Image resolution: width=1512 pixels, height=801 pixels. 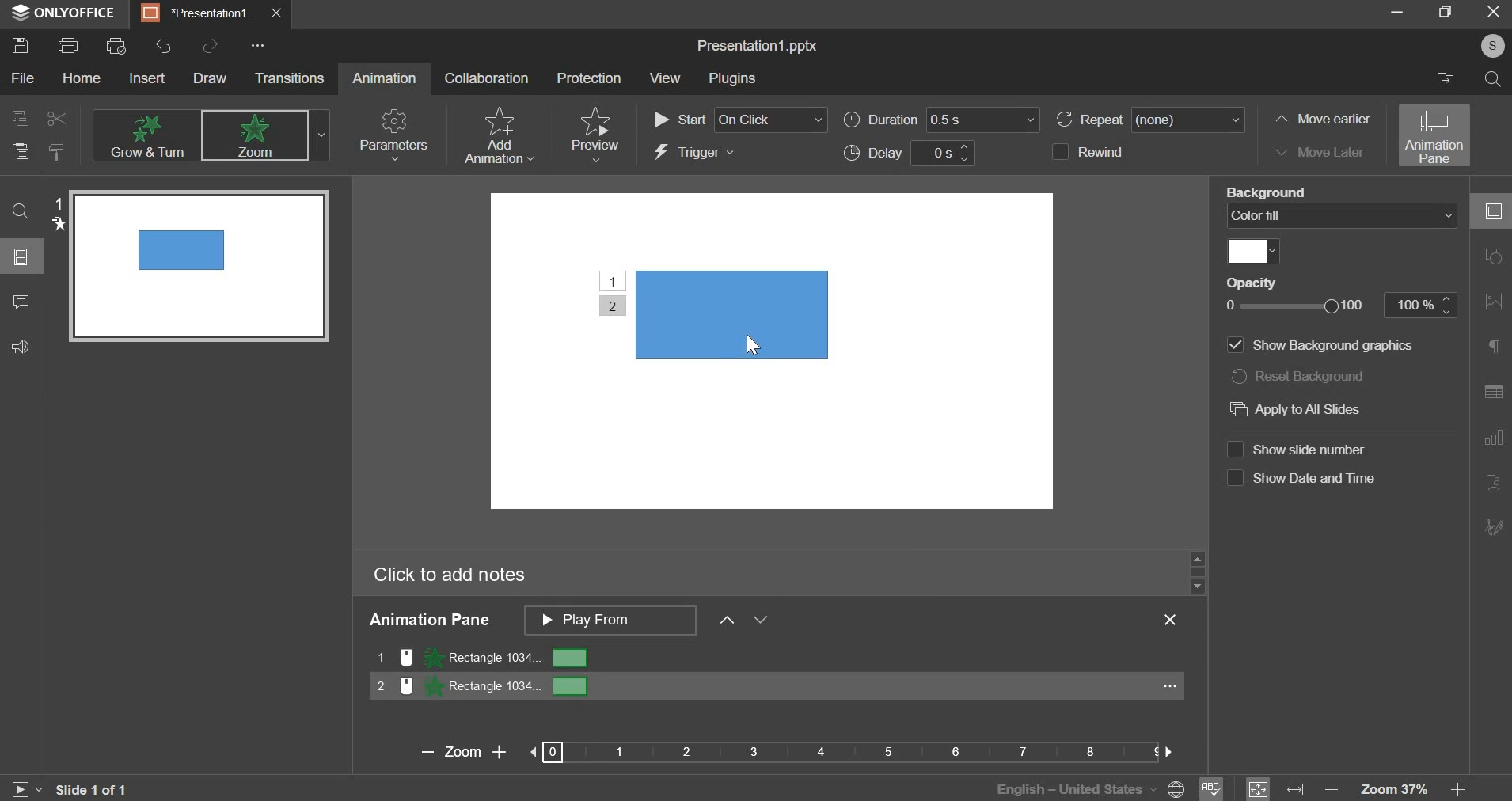 I want to click on Slide Size, so click(x=1492, y=347).